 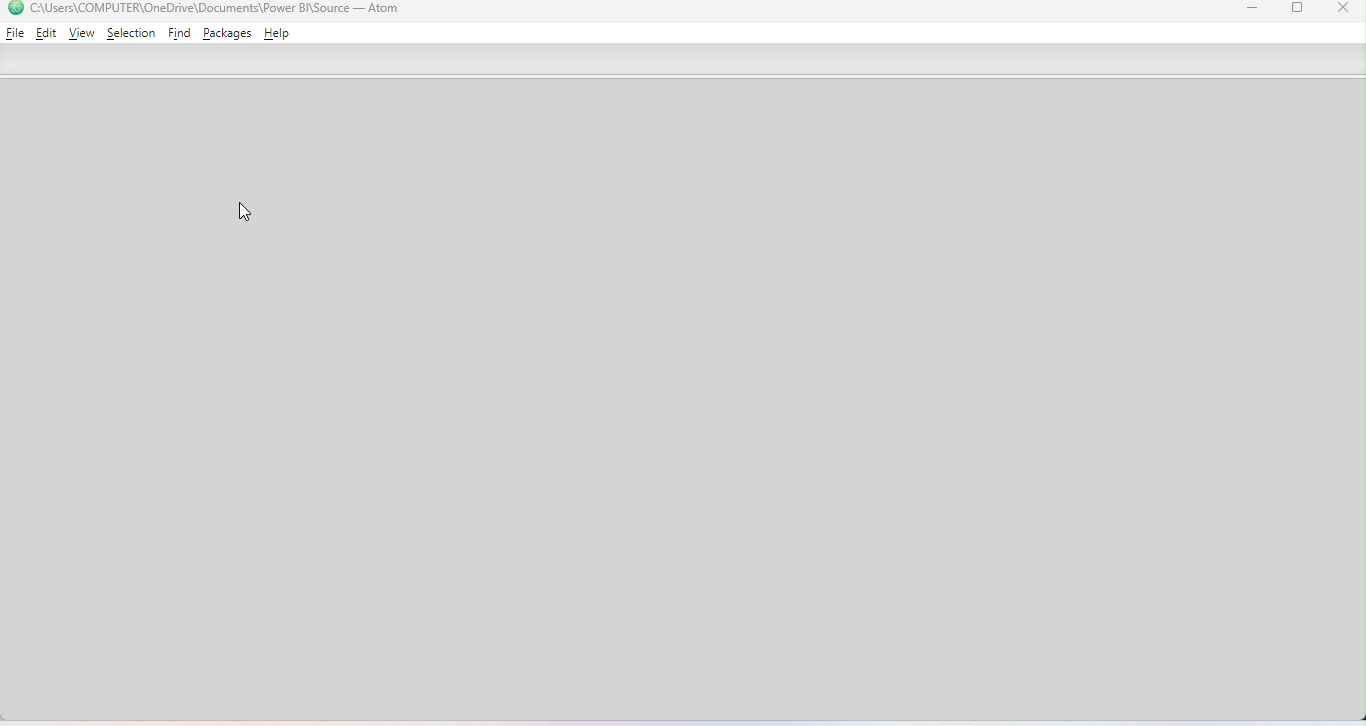 I want to click on Cursor, so click(x=246, y=212).